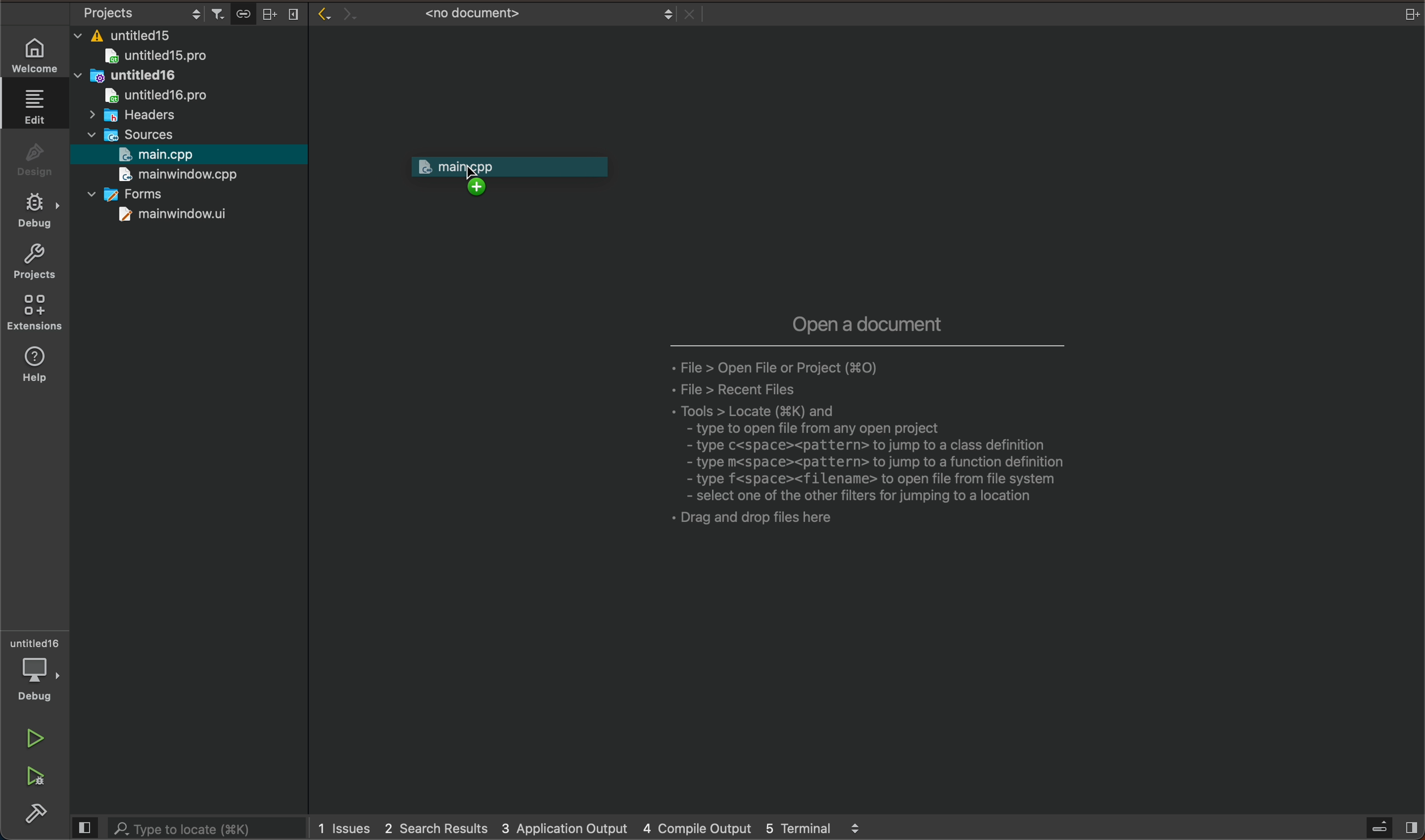 The image size is (1425, 840). I want to click on design, so click(32, 160).